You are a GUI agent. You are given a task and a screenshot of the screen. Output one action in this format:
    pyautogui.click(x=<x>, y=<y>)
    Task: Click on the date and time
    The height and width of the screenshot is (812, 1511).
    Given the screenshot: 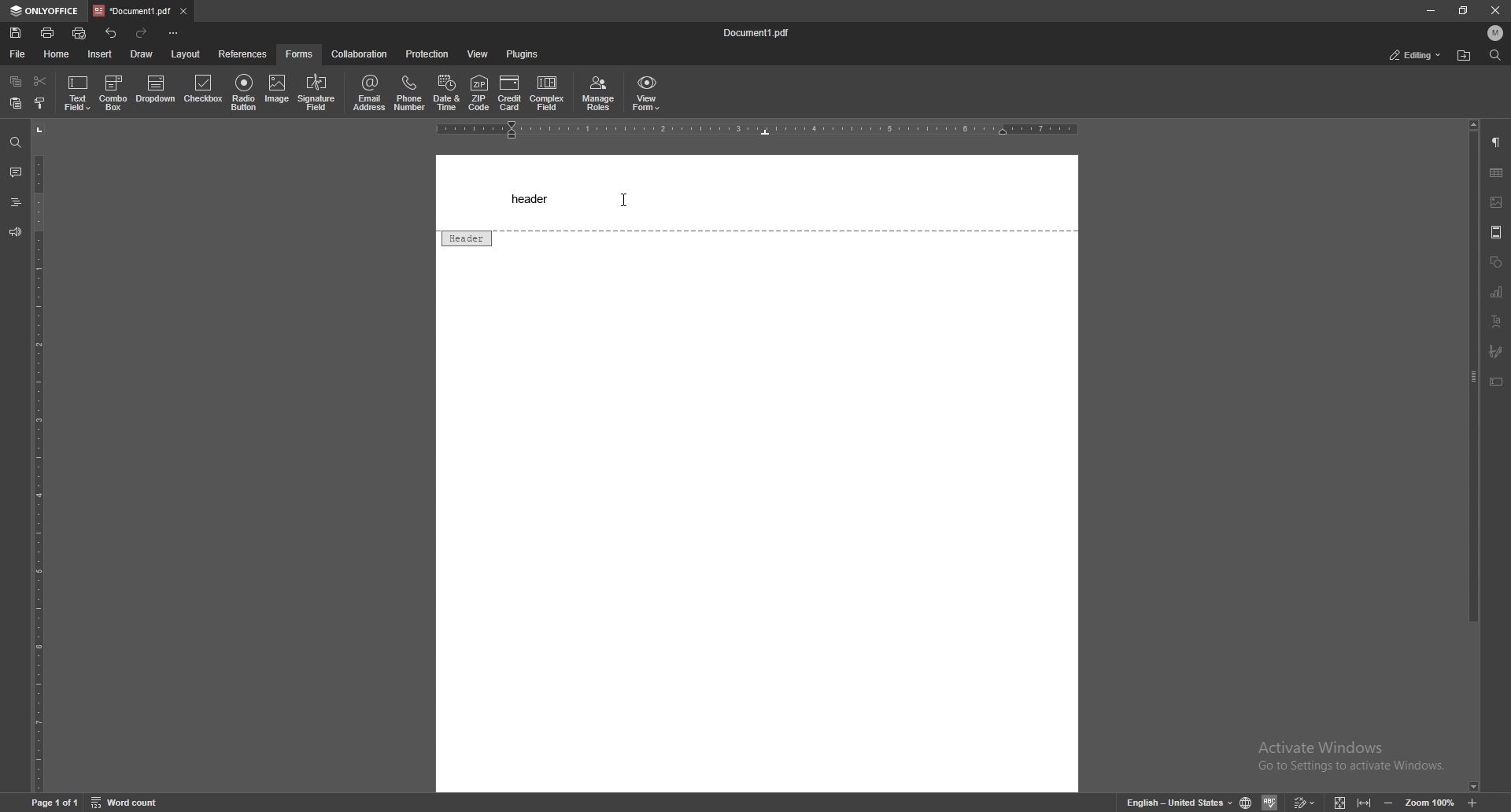 What is the action you would take?
    pyautogui.click(x=447, y=94)
    